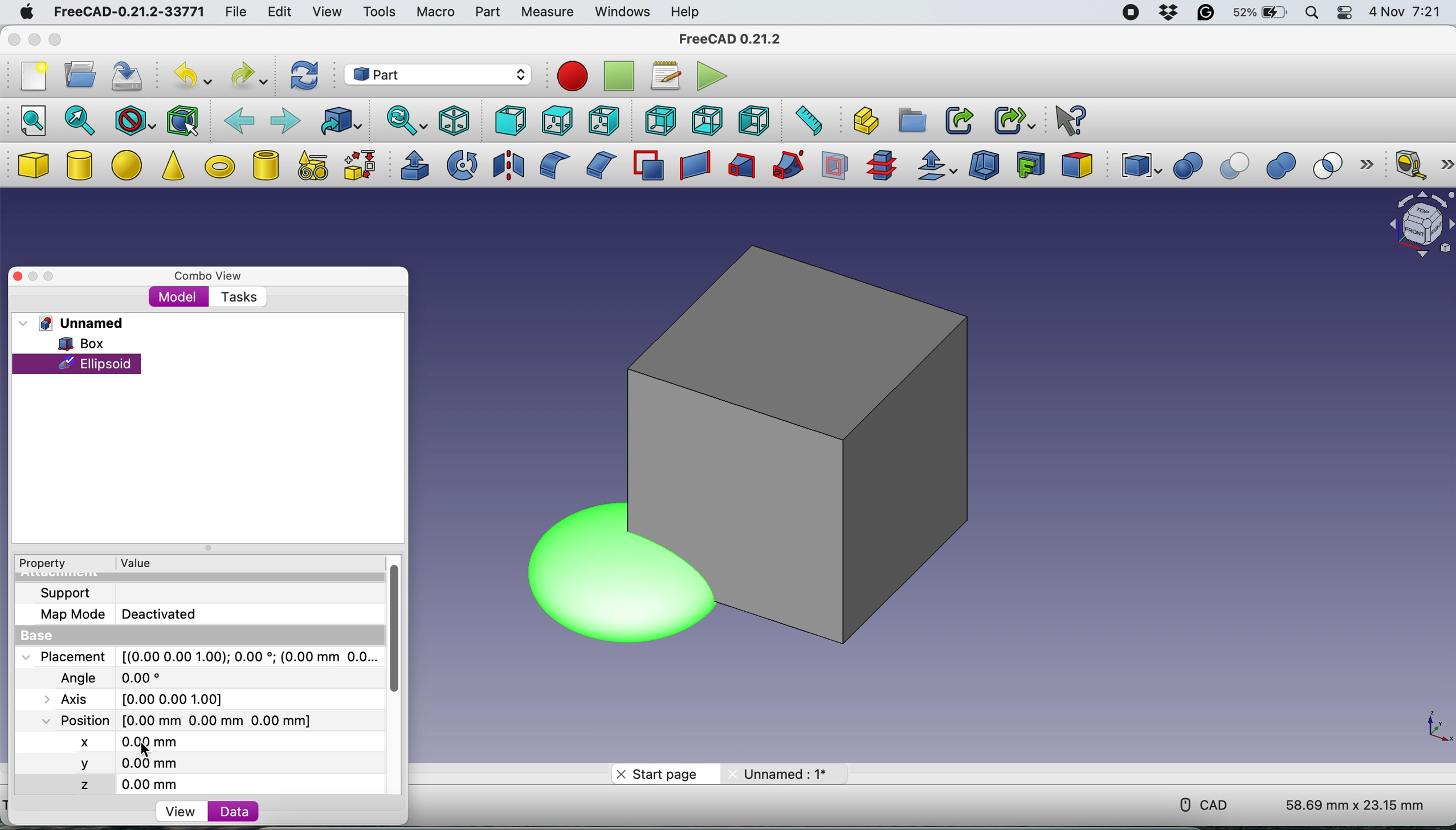 This screenshot has width=1456, height=830. I want to click on sweep, so click(784, 166).